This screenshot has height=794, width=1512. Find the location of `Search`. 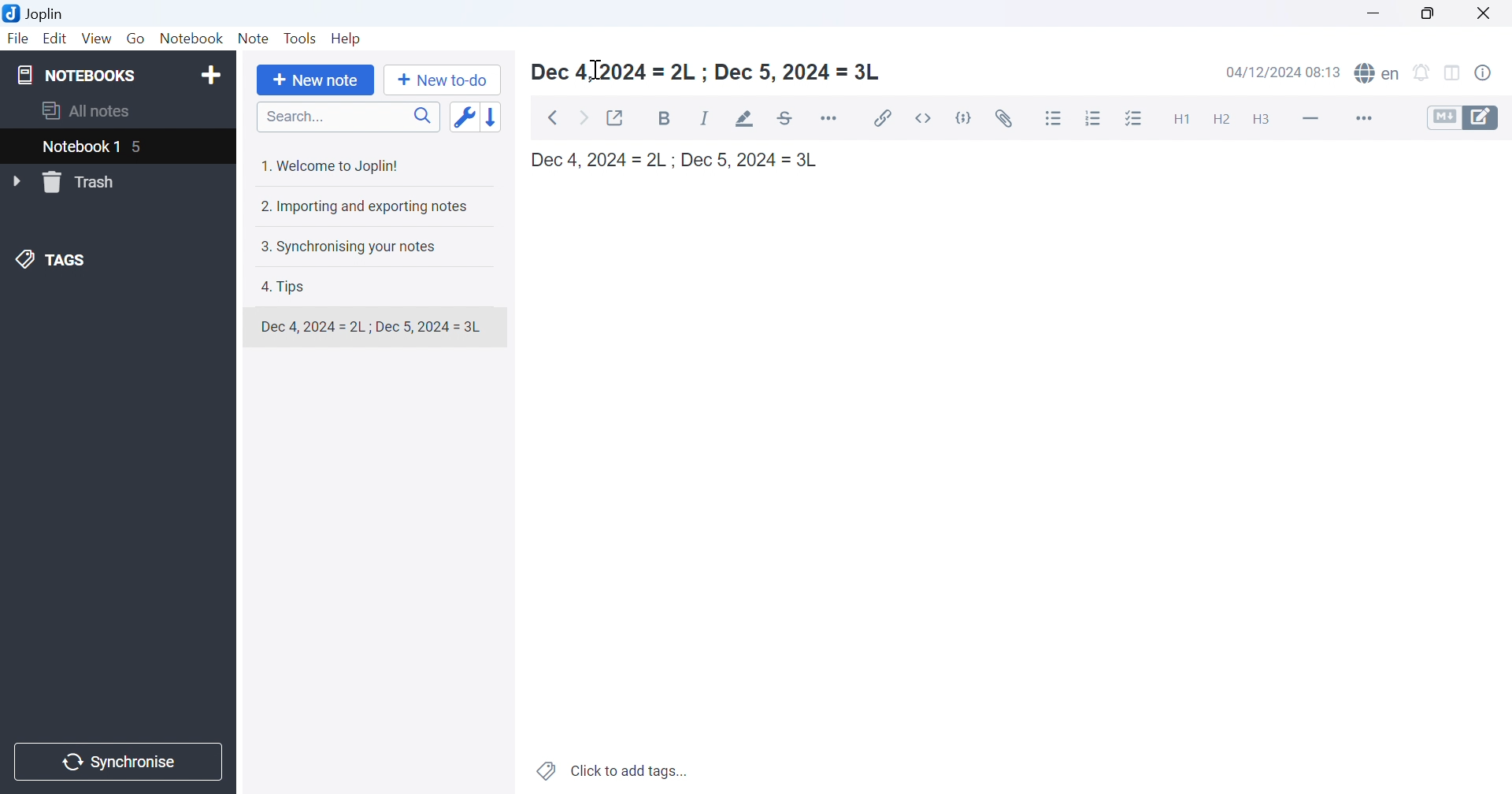

Search is located at coordinates (348, 117).